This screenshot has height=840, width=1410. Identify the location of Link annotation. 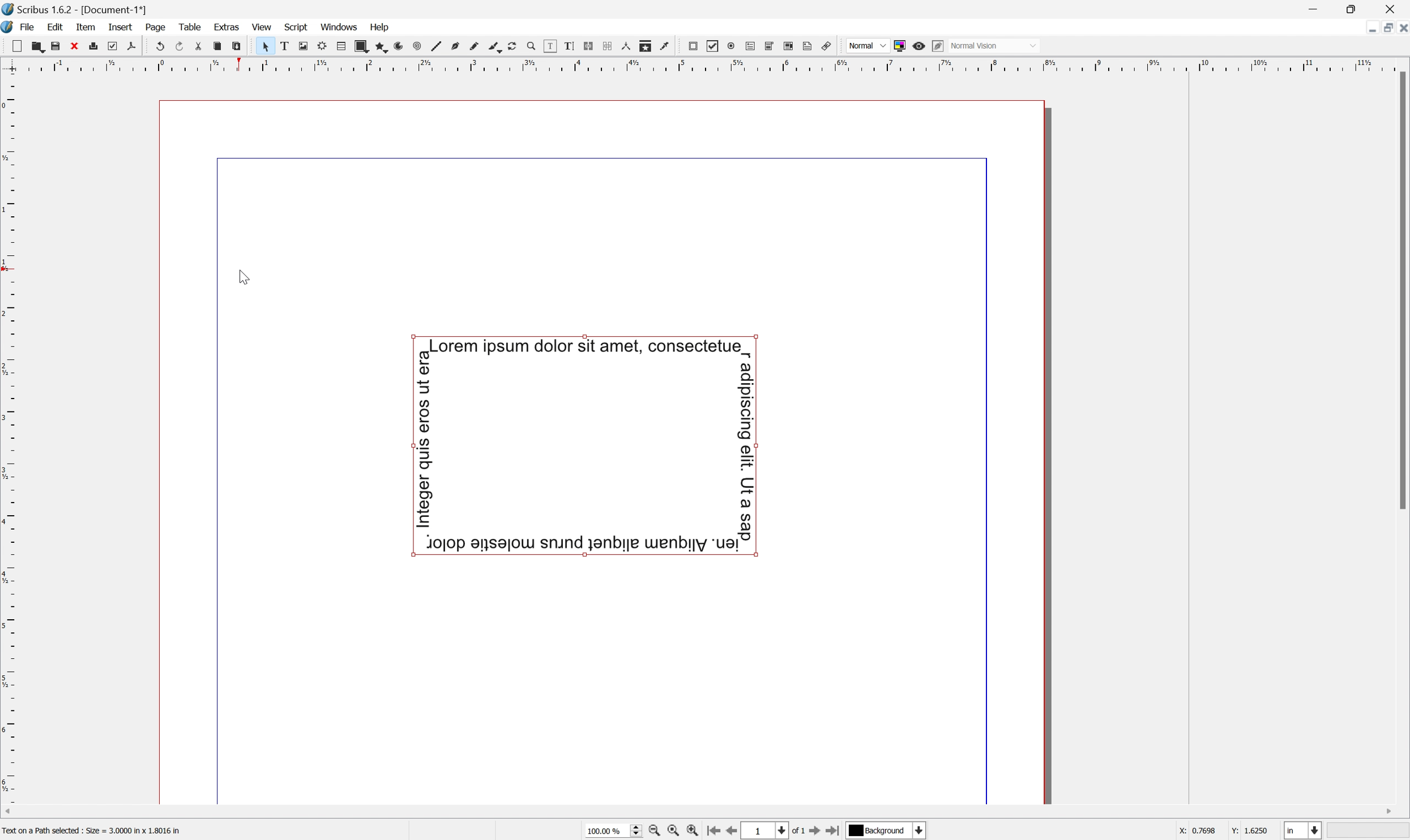
(830, 47).